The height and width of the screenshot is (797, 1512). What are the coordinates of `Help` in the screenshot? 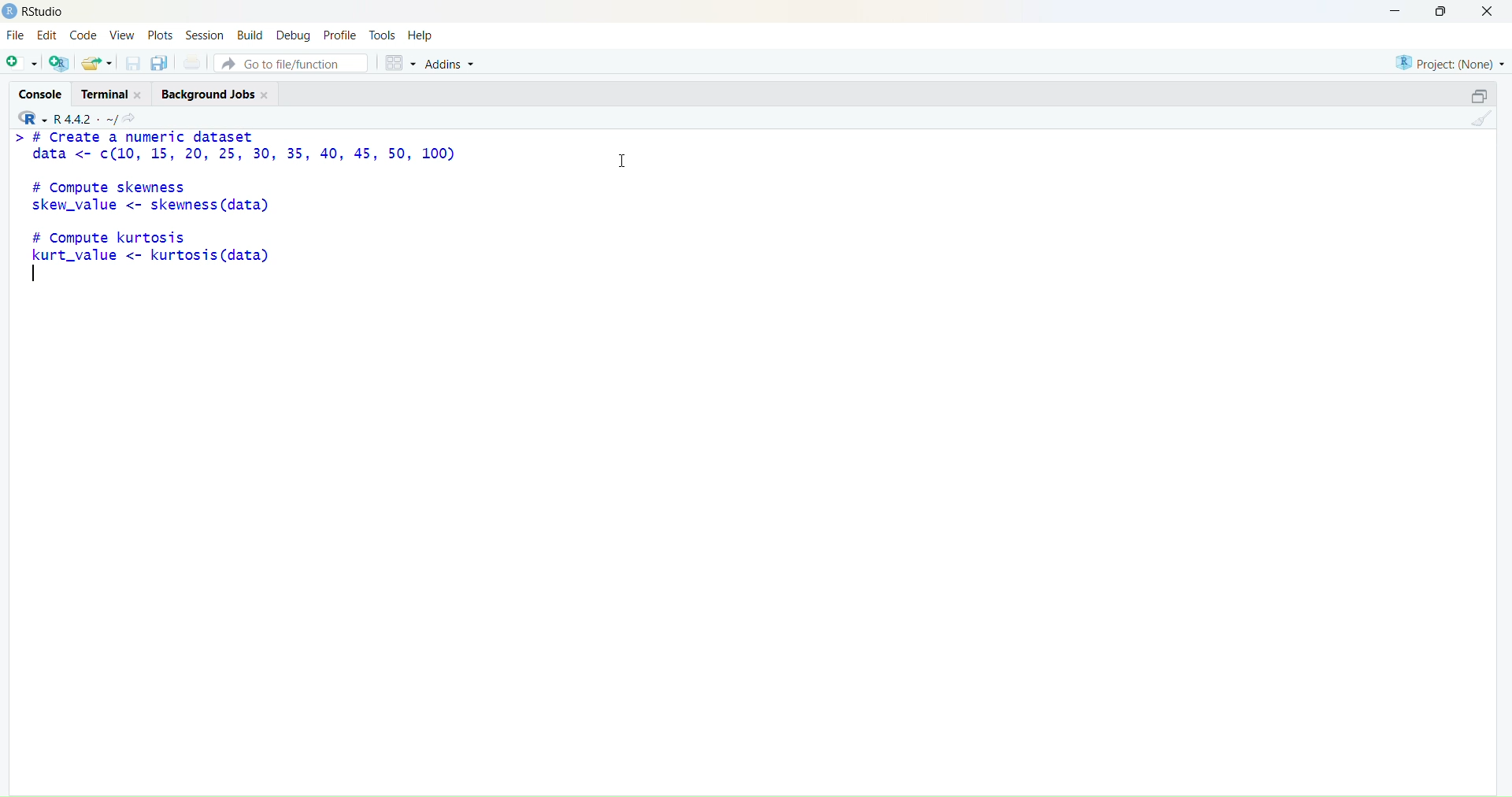 It's located at (424, 34).